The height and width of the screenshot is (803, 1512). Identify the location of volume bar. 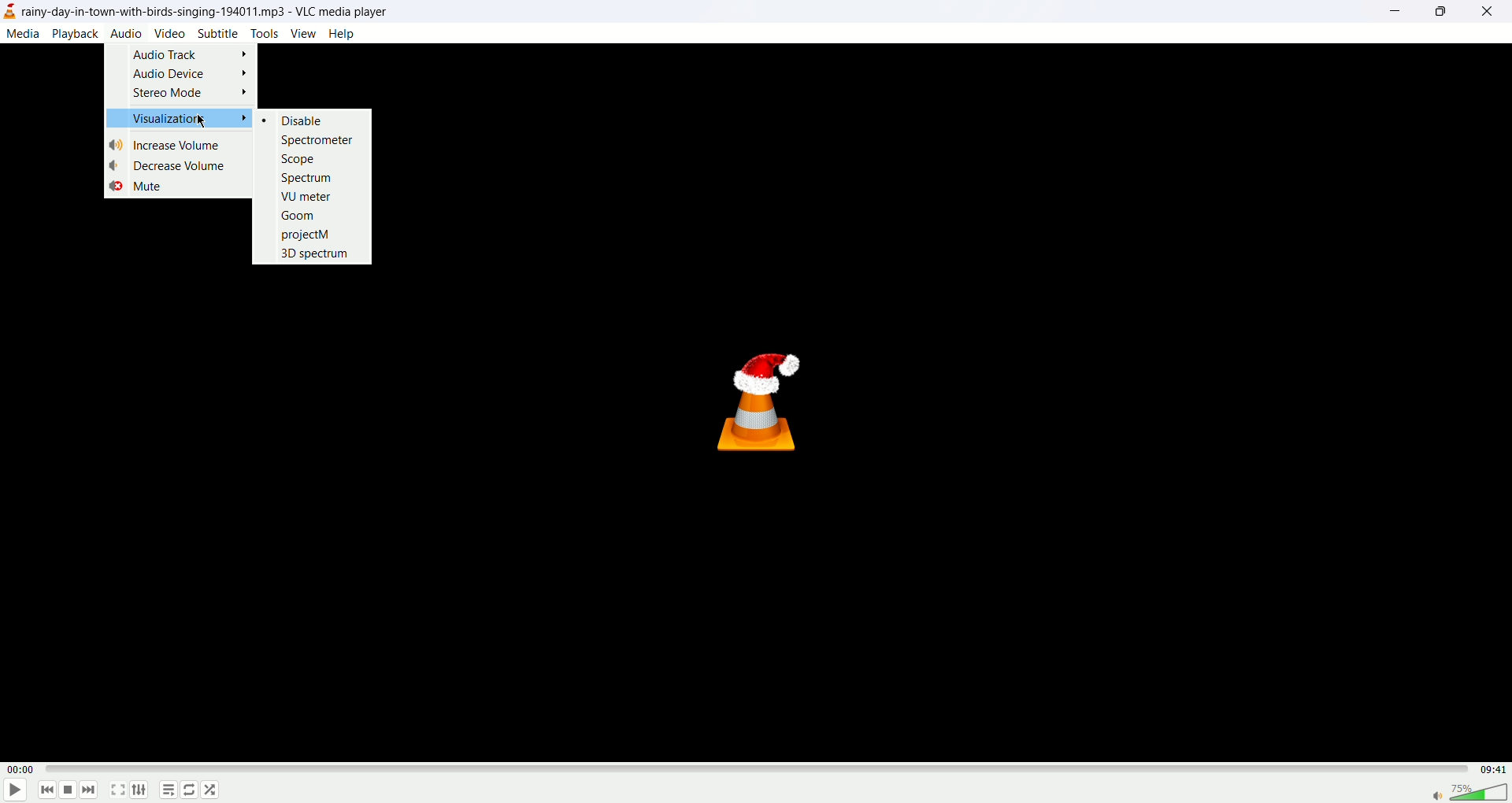
(1470, 791).